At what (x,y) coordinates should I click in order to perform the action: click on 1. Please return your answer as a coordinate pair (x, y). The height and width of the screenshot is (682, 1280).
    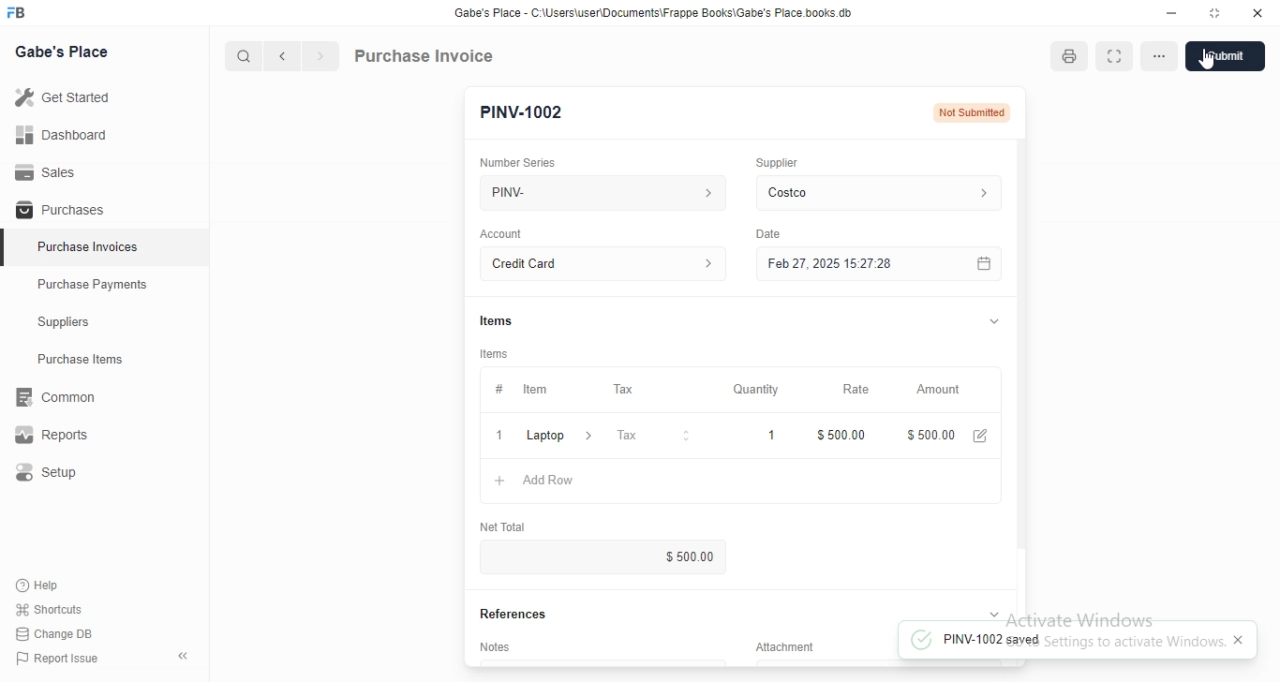
    Looking at the image, I should click on (752, 435).